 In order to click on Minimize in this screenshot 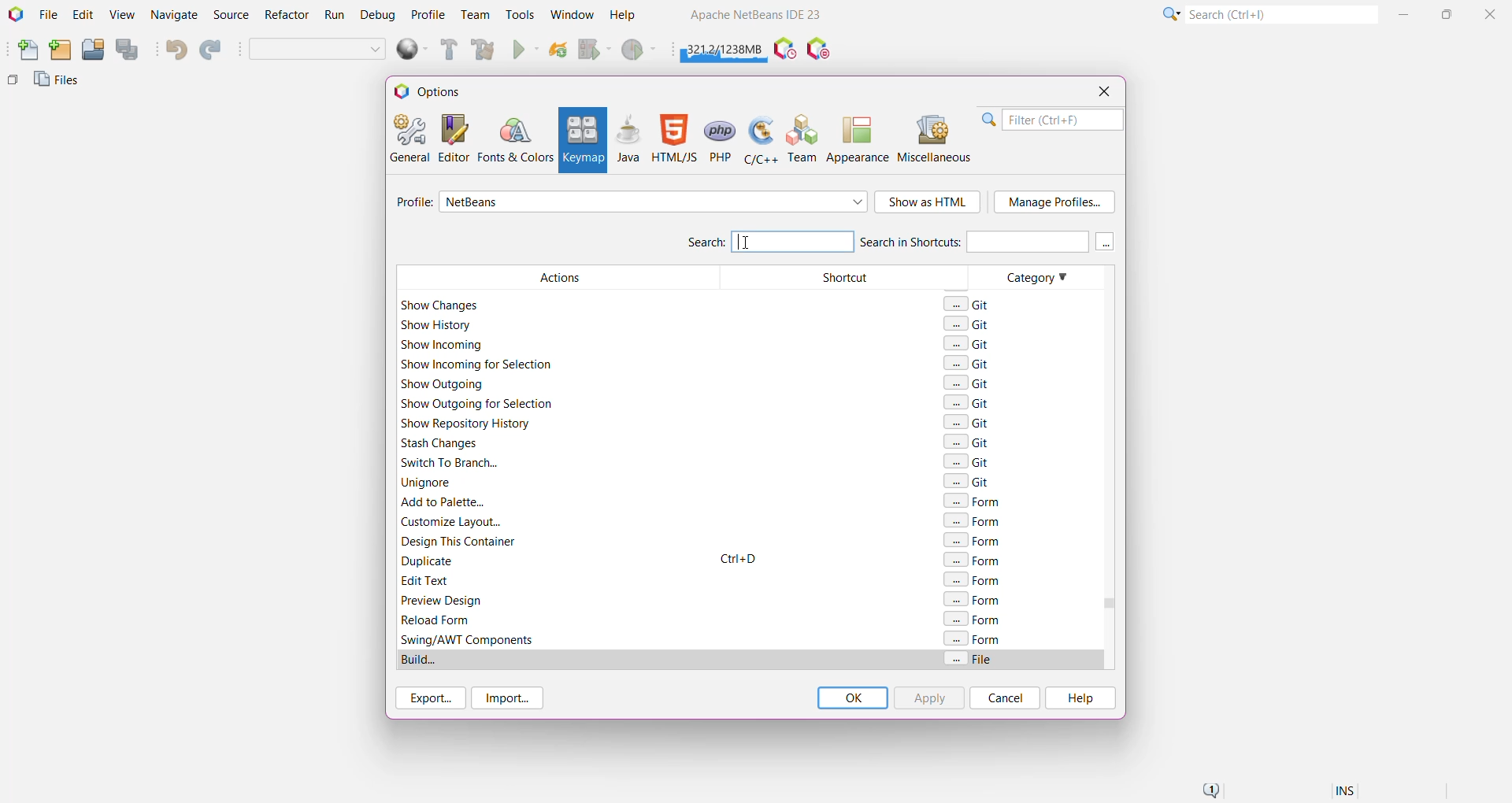, I will do `click(1406, 14)`.